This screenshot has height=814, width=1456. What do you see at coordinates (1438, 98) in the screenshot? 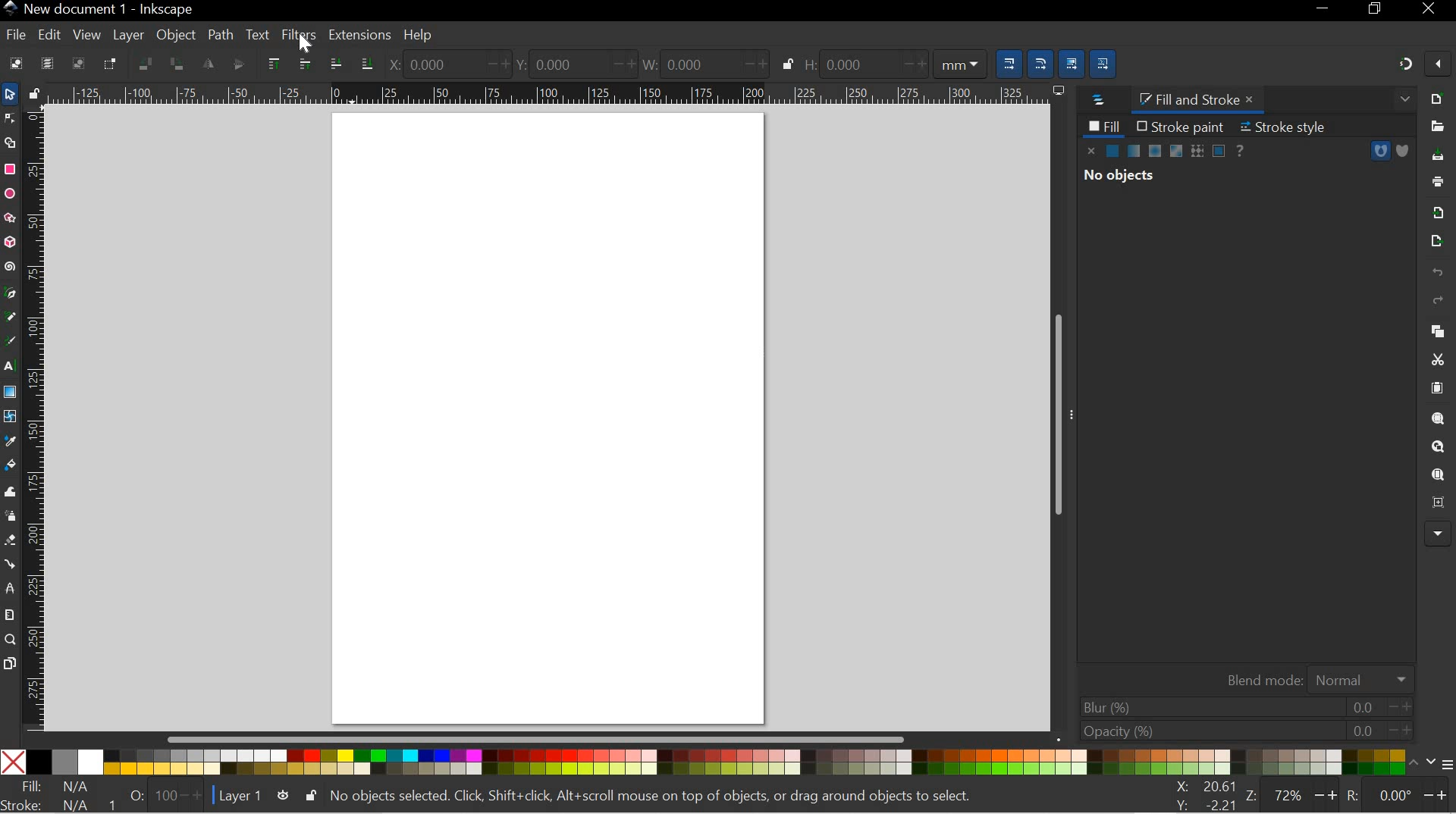
I see `NEW` at bounding box center [1438, 98].